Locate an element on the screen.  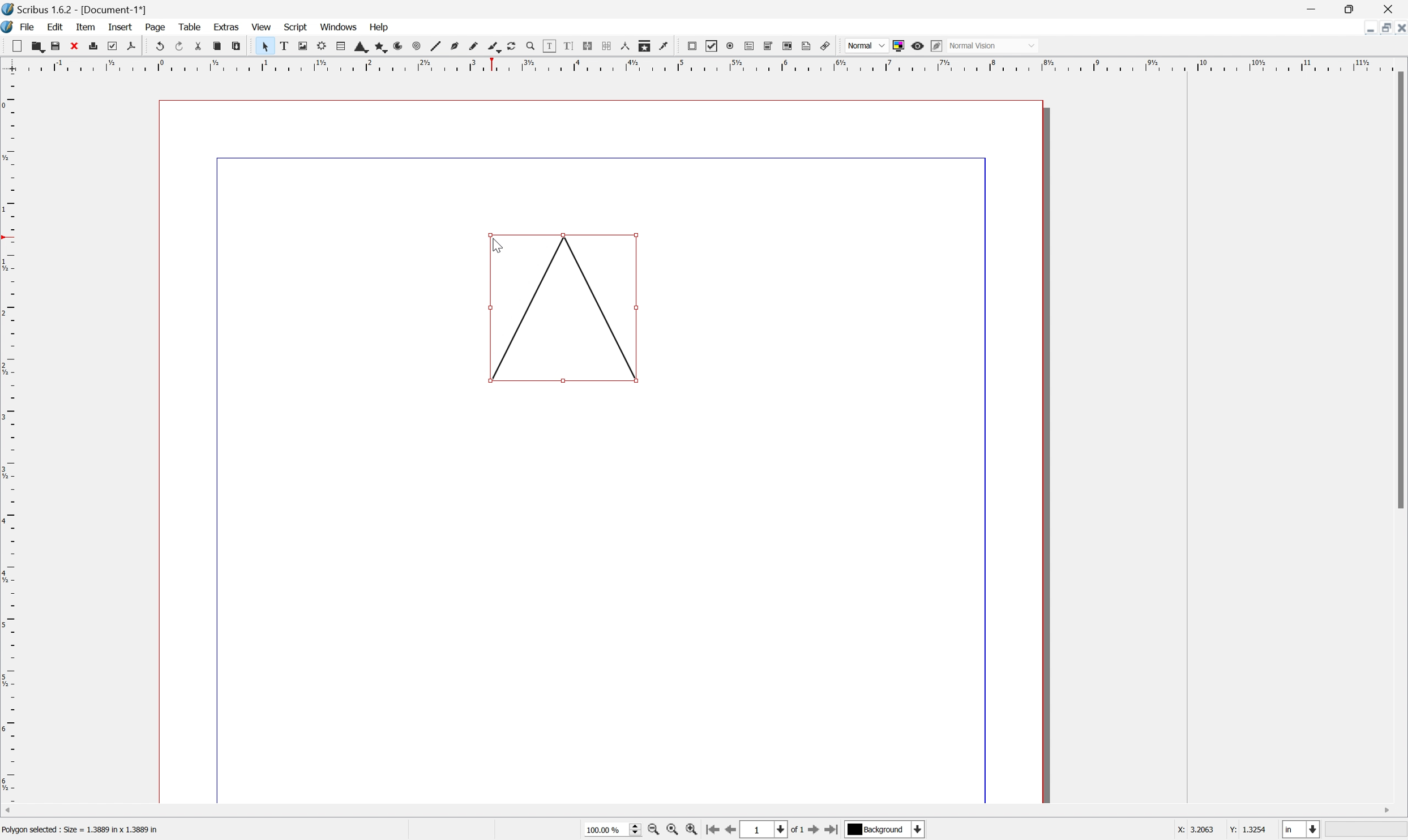
PDF text field is located at coordinates (747, 46).